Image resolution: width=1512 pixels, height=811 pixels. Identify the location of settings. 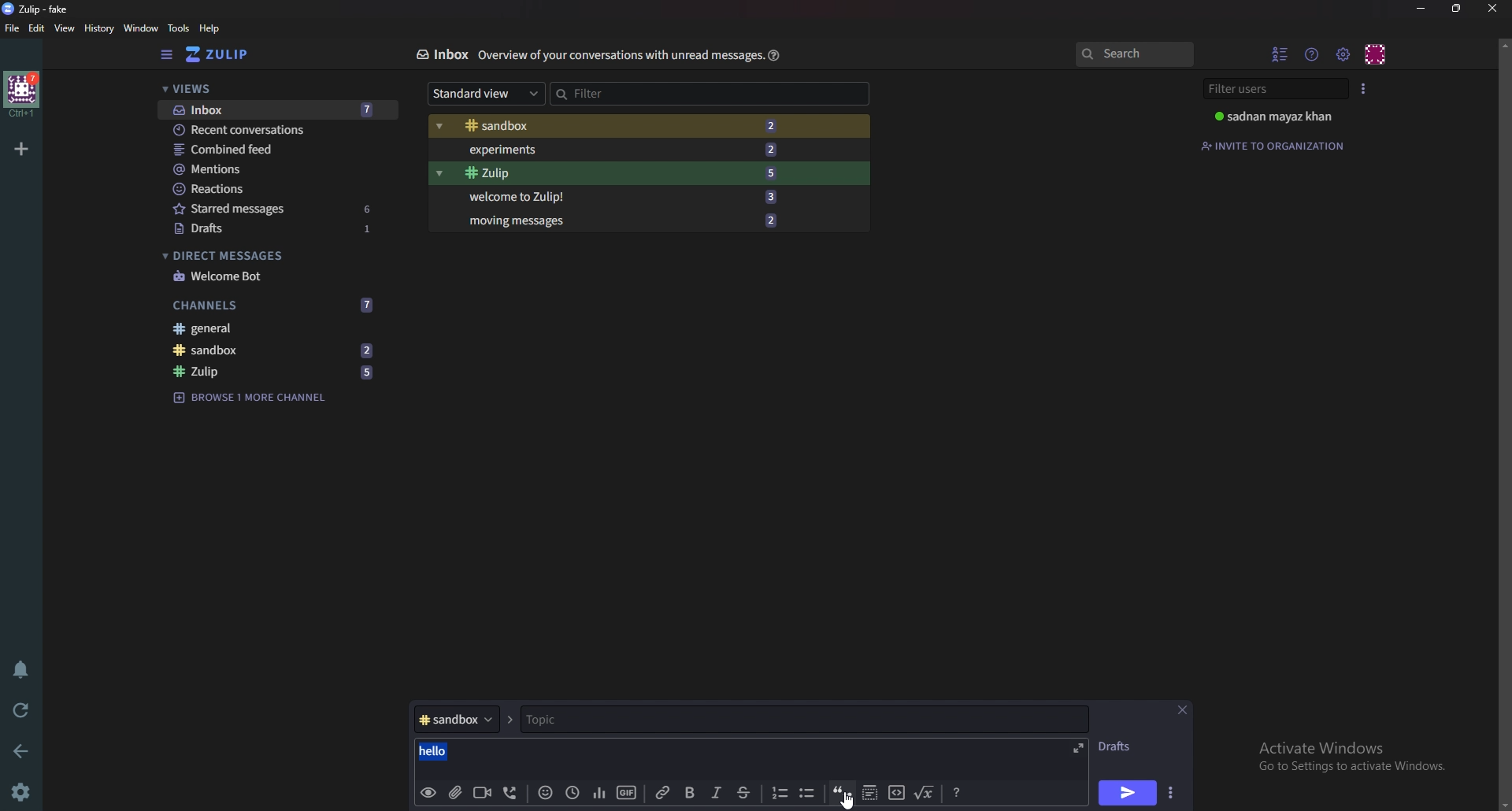
(24, 791).